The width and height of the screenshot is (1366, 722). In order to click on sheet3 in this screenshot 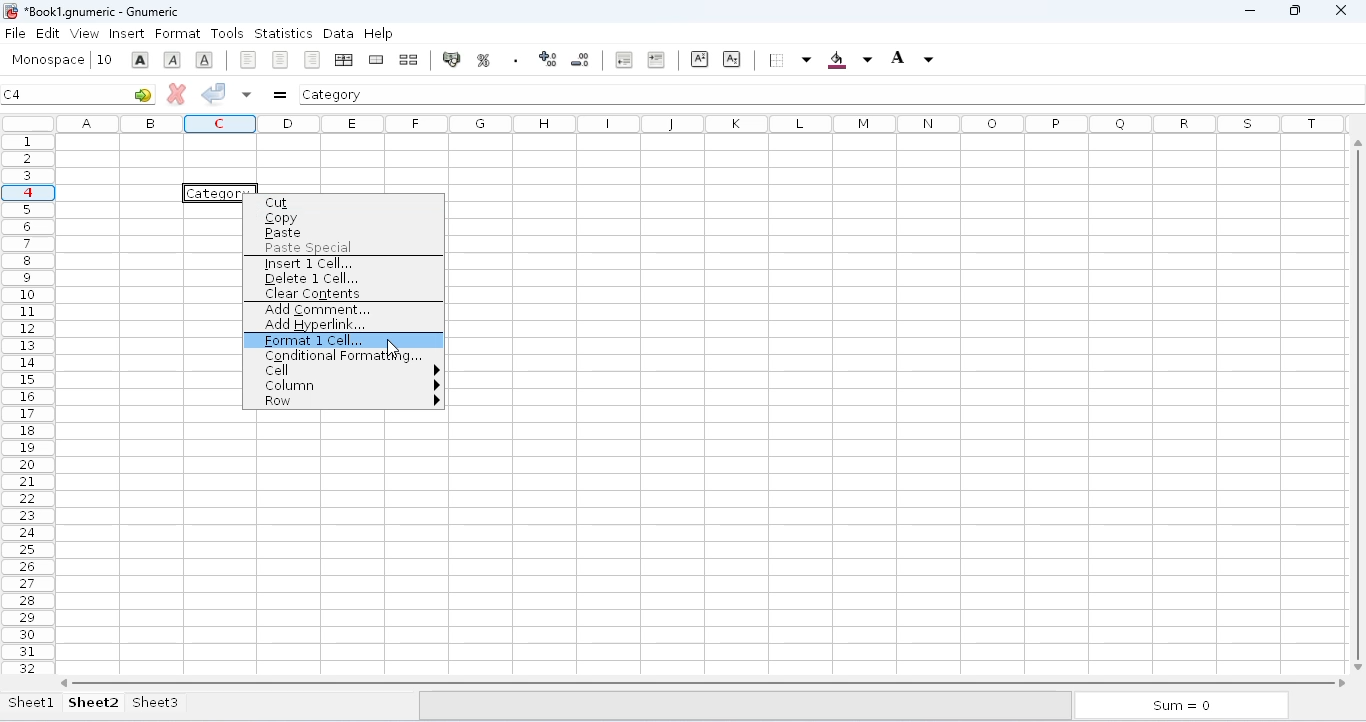, I will do `click(155, 702)`.